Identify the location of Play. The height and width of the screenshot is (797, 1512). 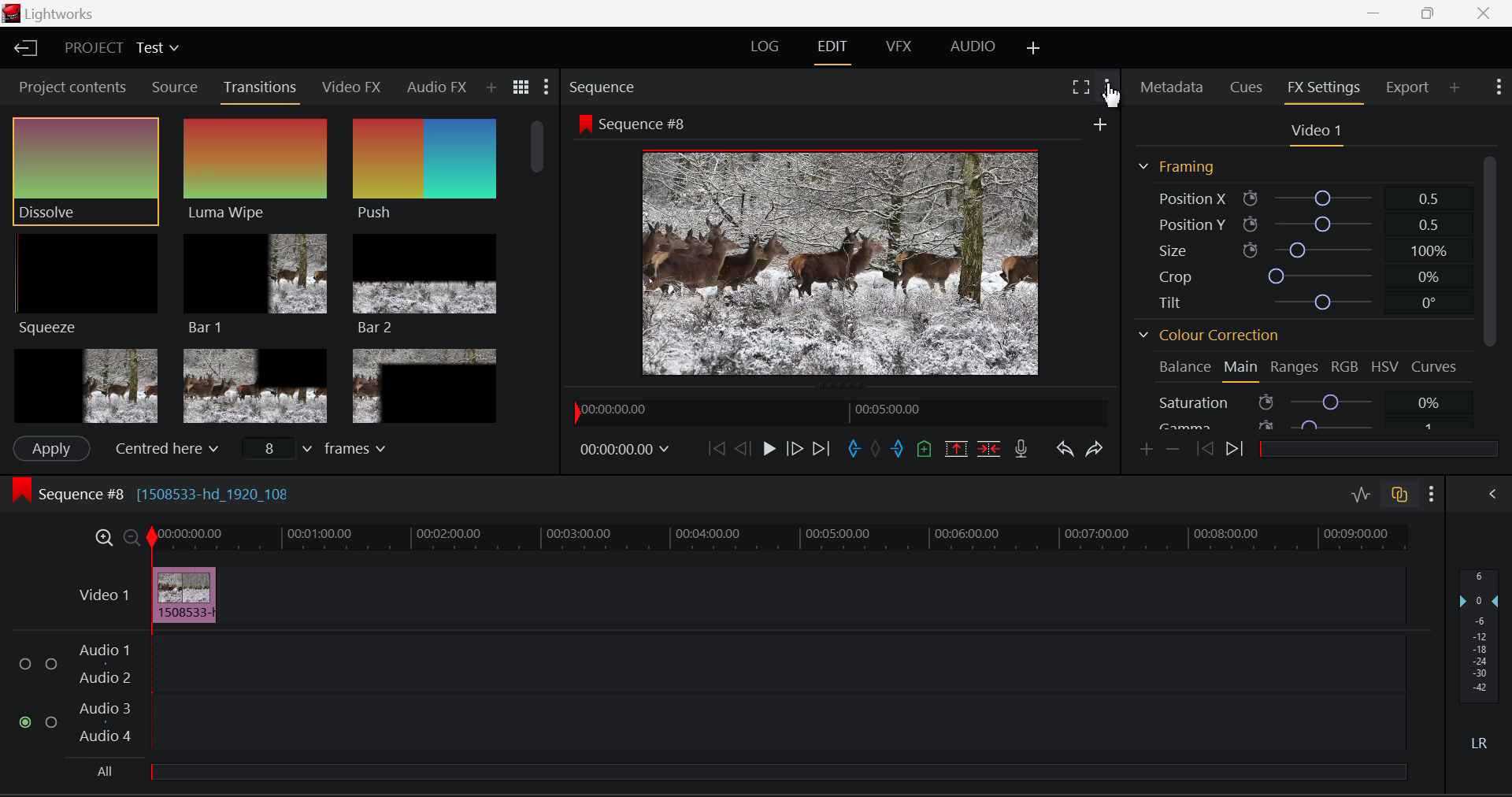
(765, 448).